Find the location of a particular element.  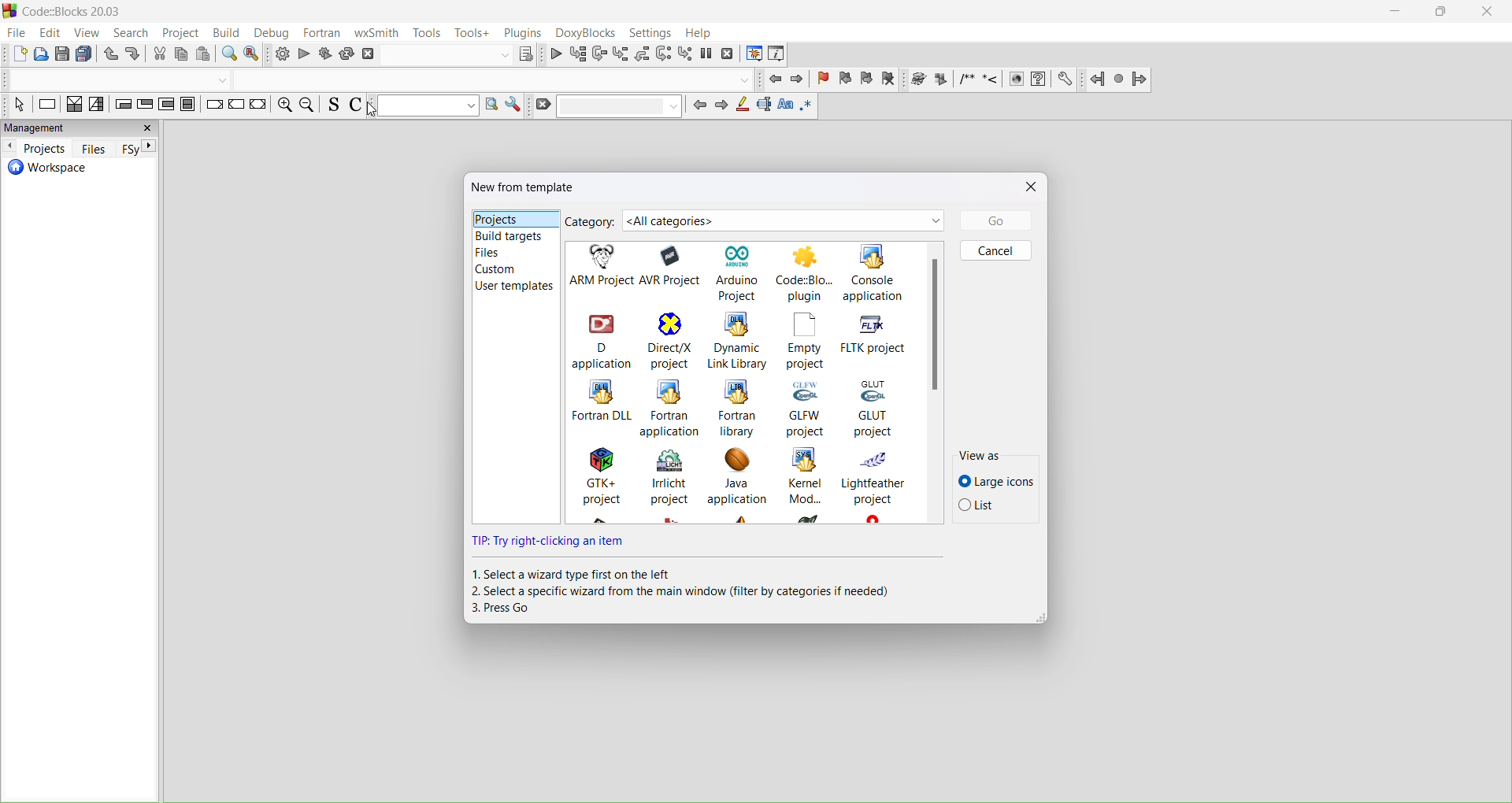

FSy is located at coordinates (138, 148).